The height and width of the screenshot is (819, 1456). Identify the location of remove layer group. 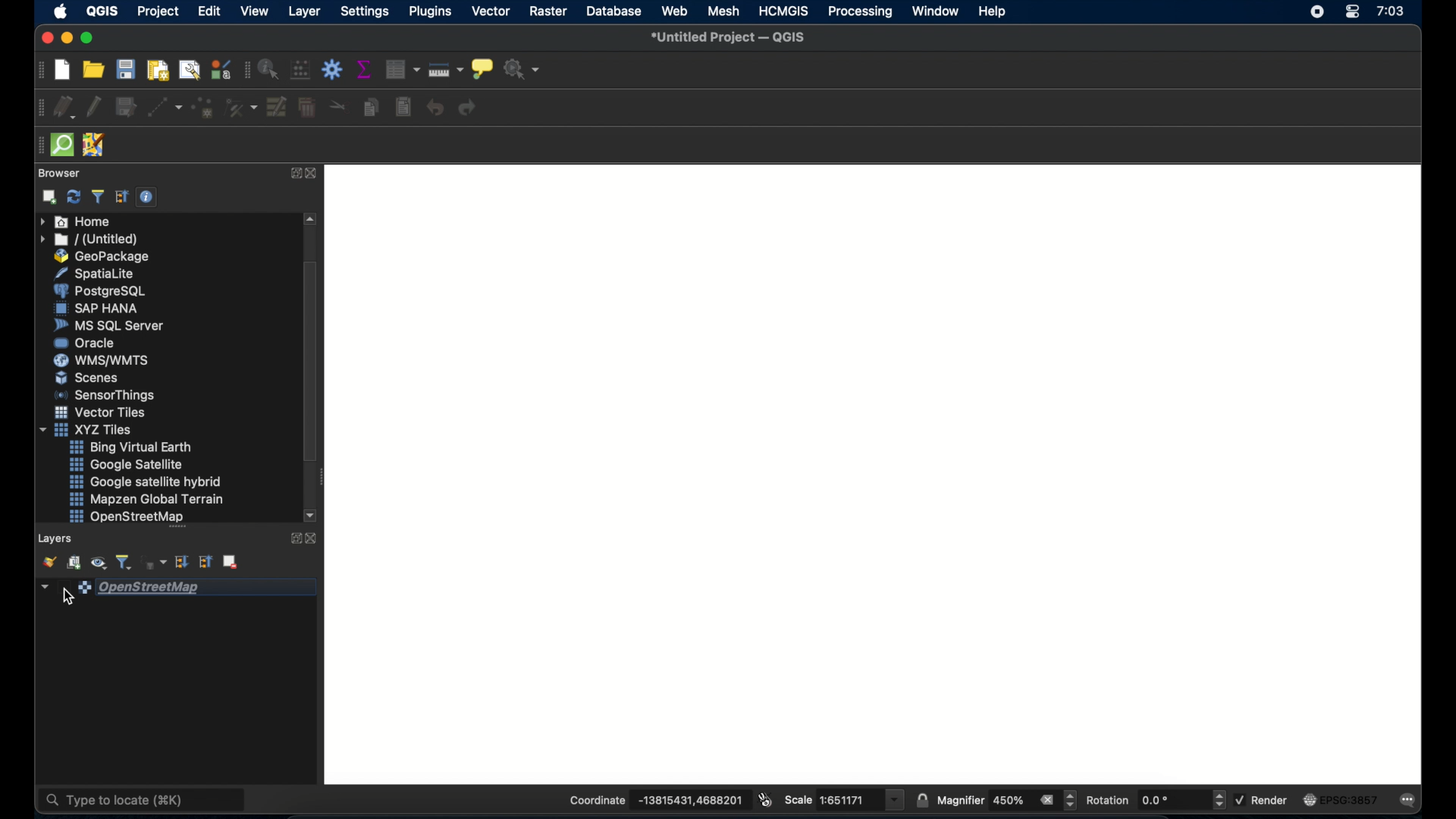
(232, 563).